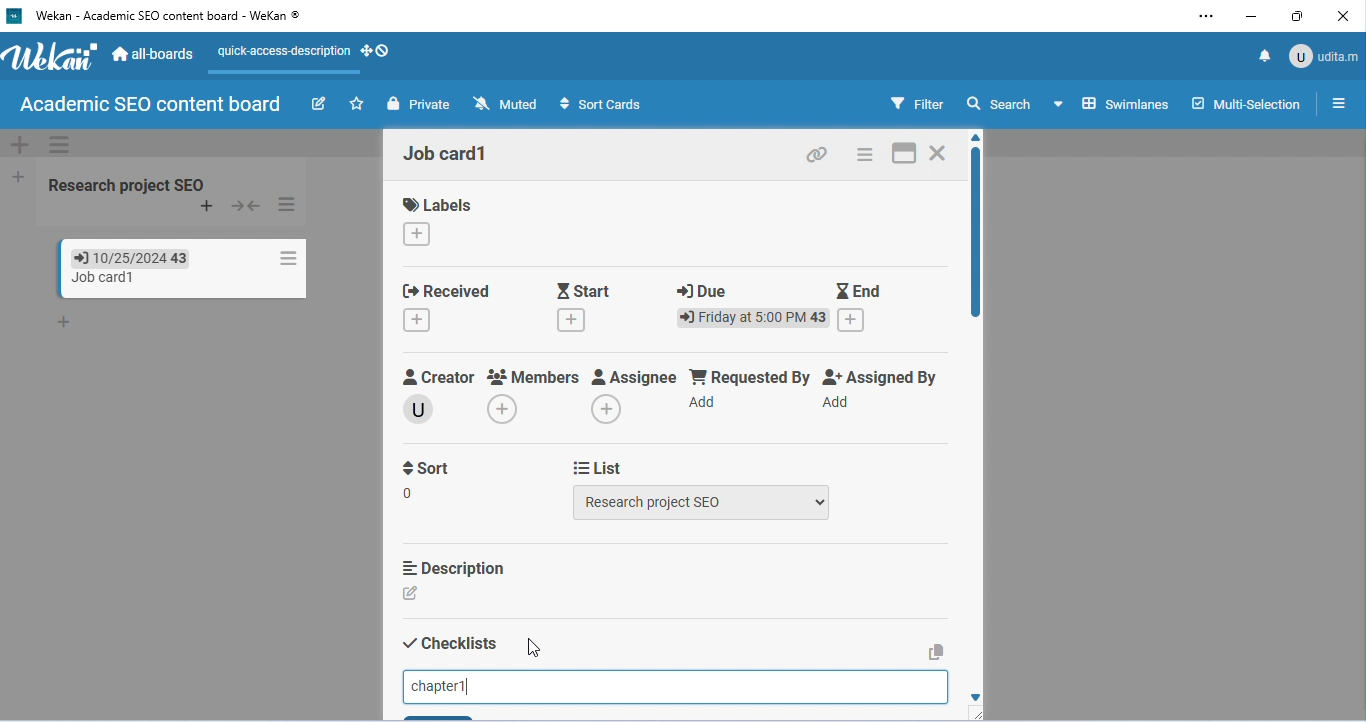 The height and width of the screenshot is (722, 1366). Describe the element at coordinates (904, 154) in the screenshot. I see `maximize card` at that location.